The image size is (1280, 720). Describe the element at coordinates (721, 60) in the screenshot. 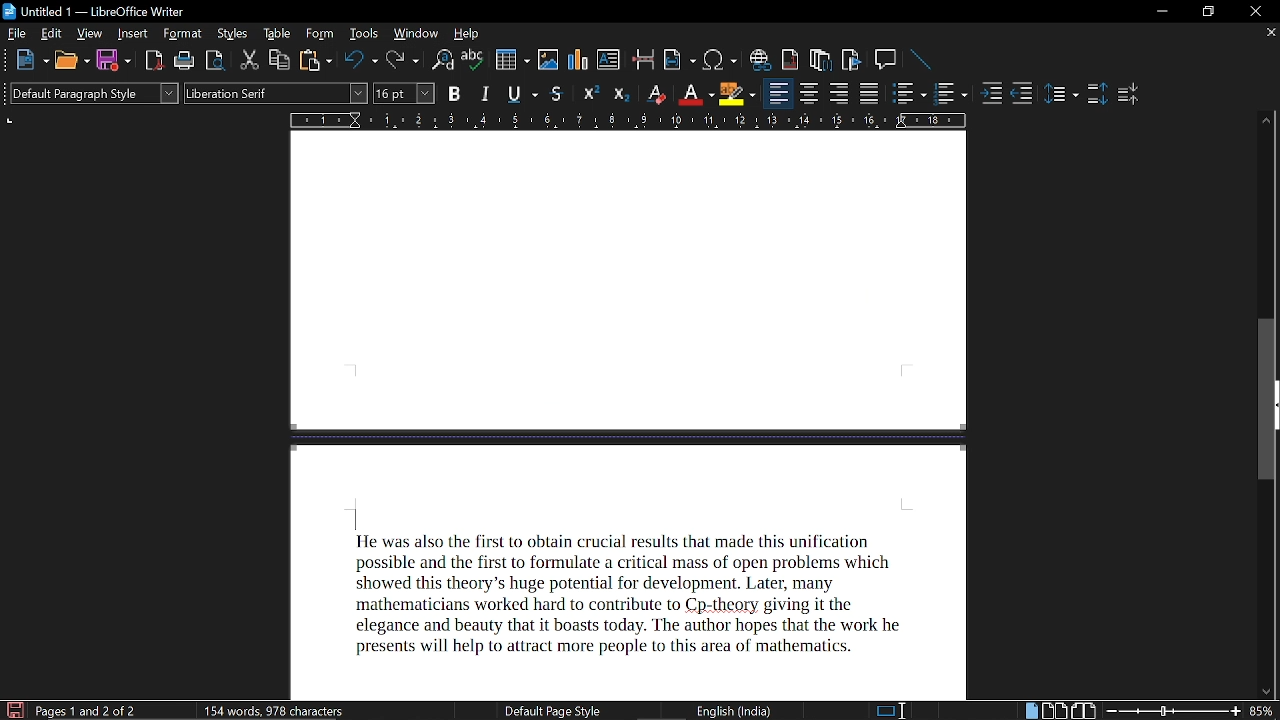

I see `Insert symbols` at that location.